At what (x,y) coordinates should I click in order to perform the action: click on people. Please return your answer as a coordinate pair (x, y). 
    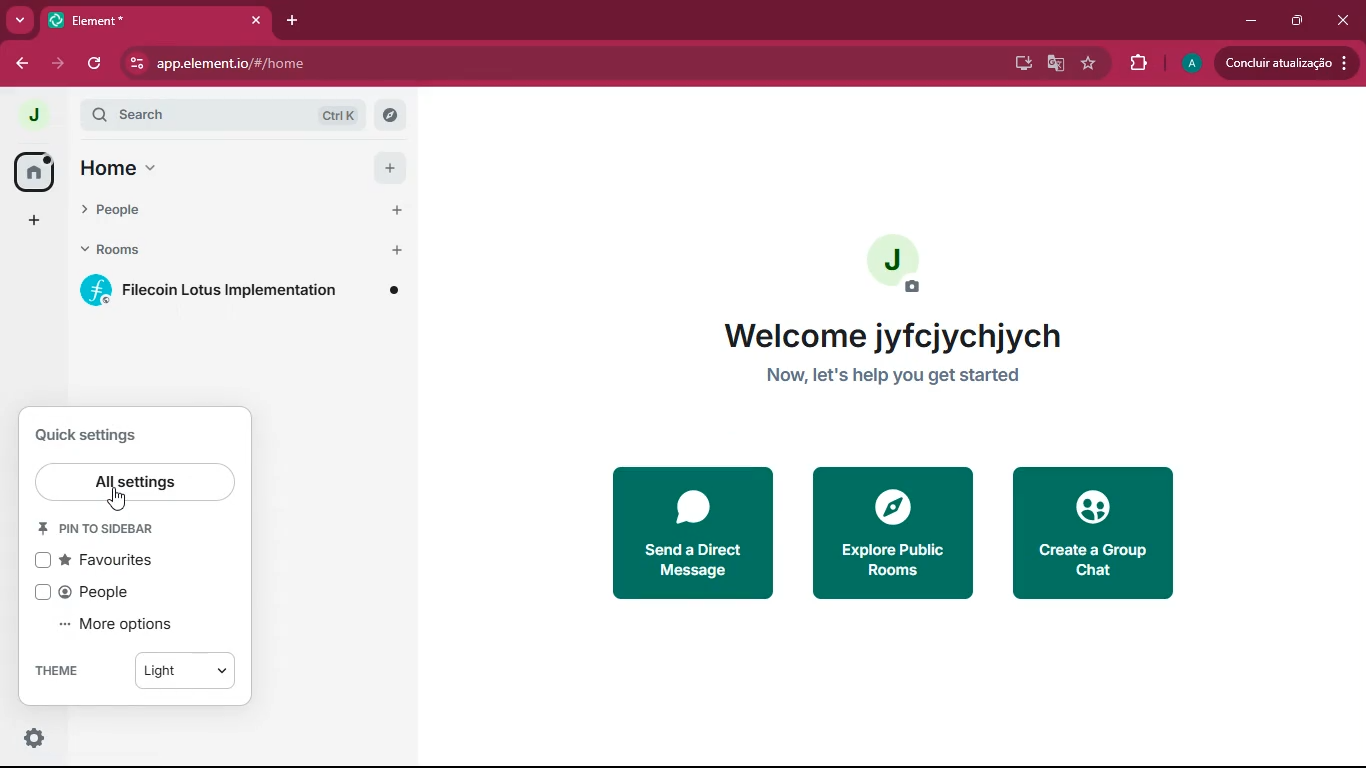
    Looking at the image, I should click on (91, 591).